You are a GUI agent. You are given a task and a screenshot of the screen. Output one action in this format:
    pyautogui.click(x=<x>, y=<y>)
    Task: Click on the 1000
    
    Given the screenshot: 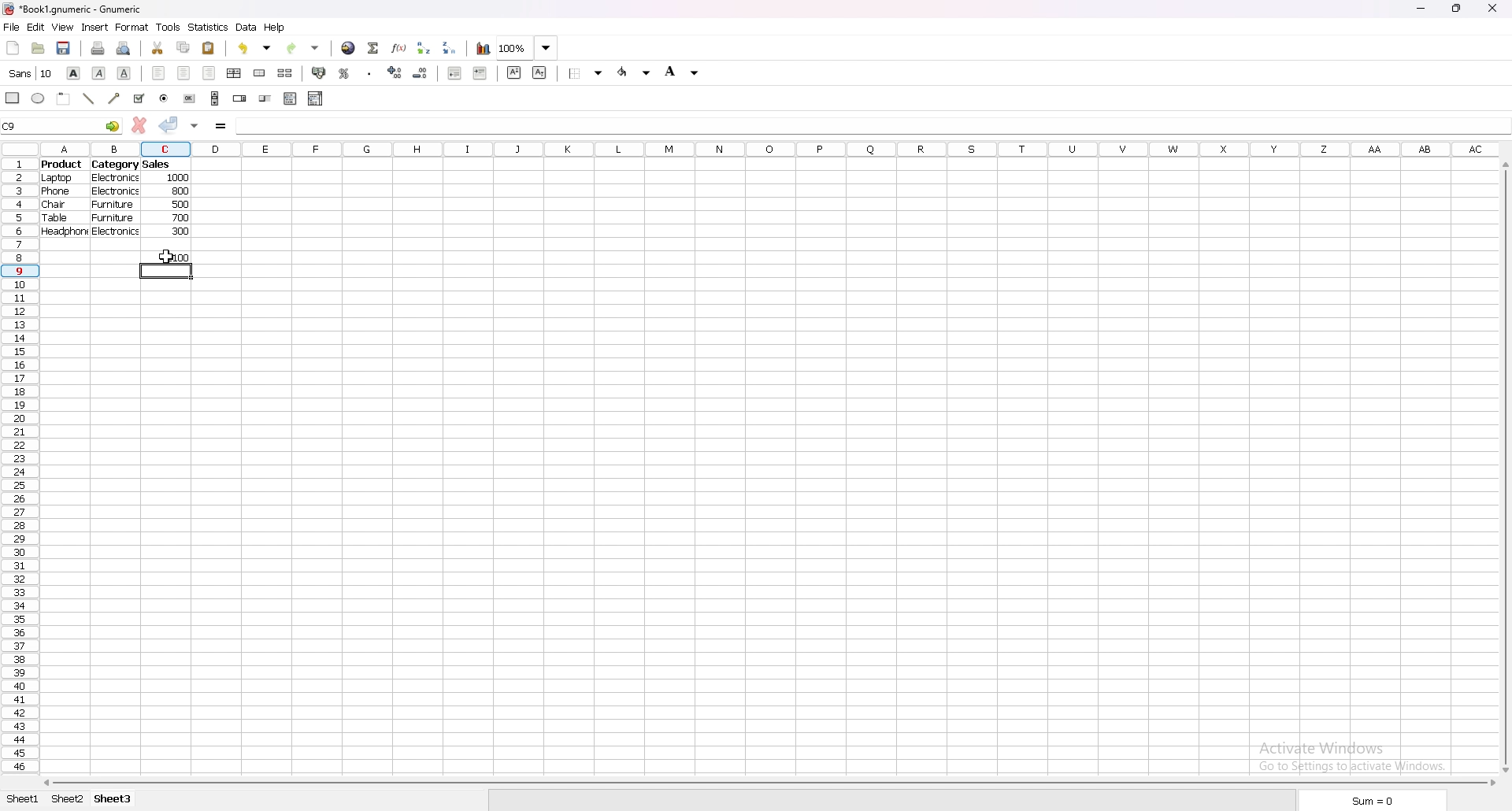 What is the action you would take?
    pyautogui.click(x=180, y=179)
    